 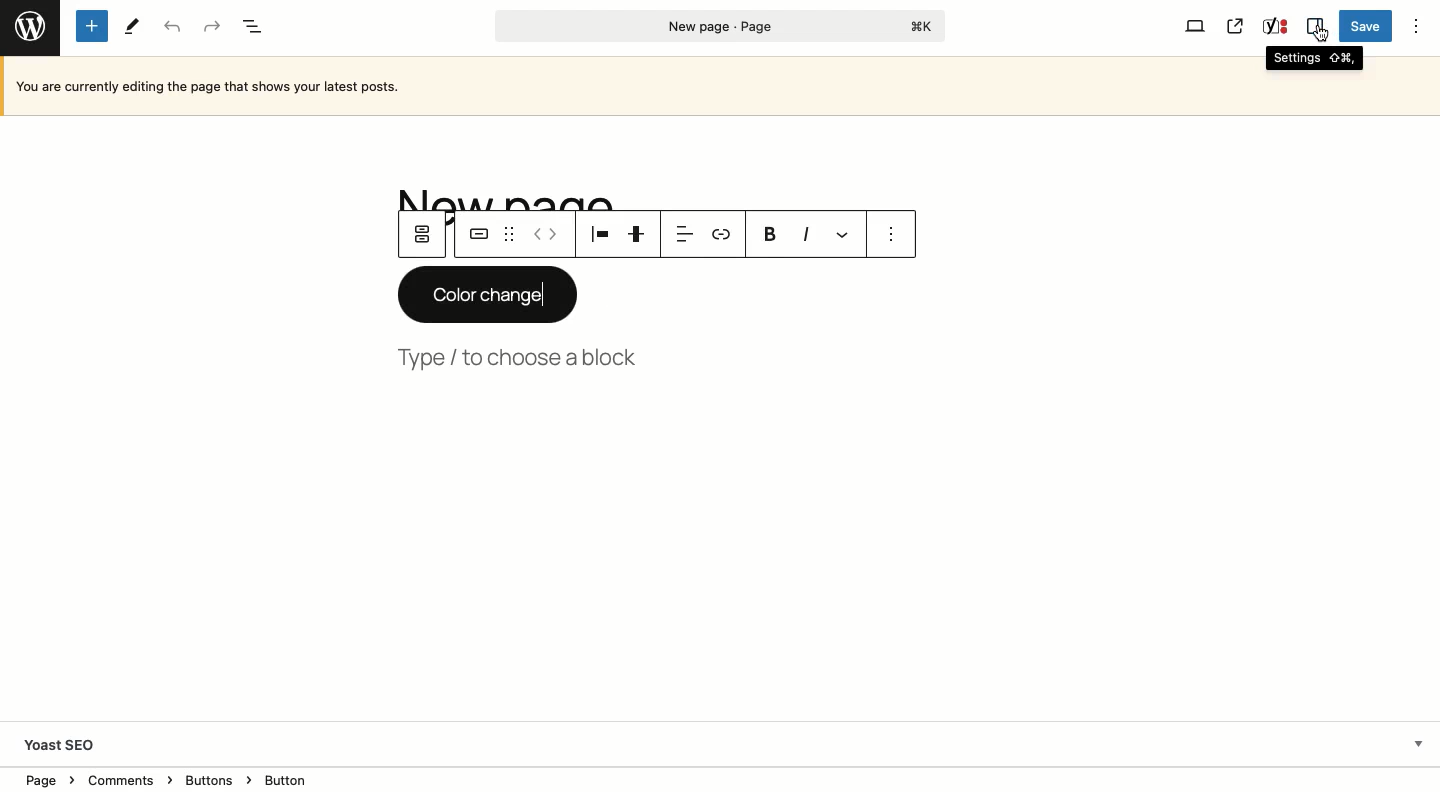 I want to click on Add new block, so click(x=95, y=27).